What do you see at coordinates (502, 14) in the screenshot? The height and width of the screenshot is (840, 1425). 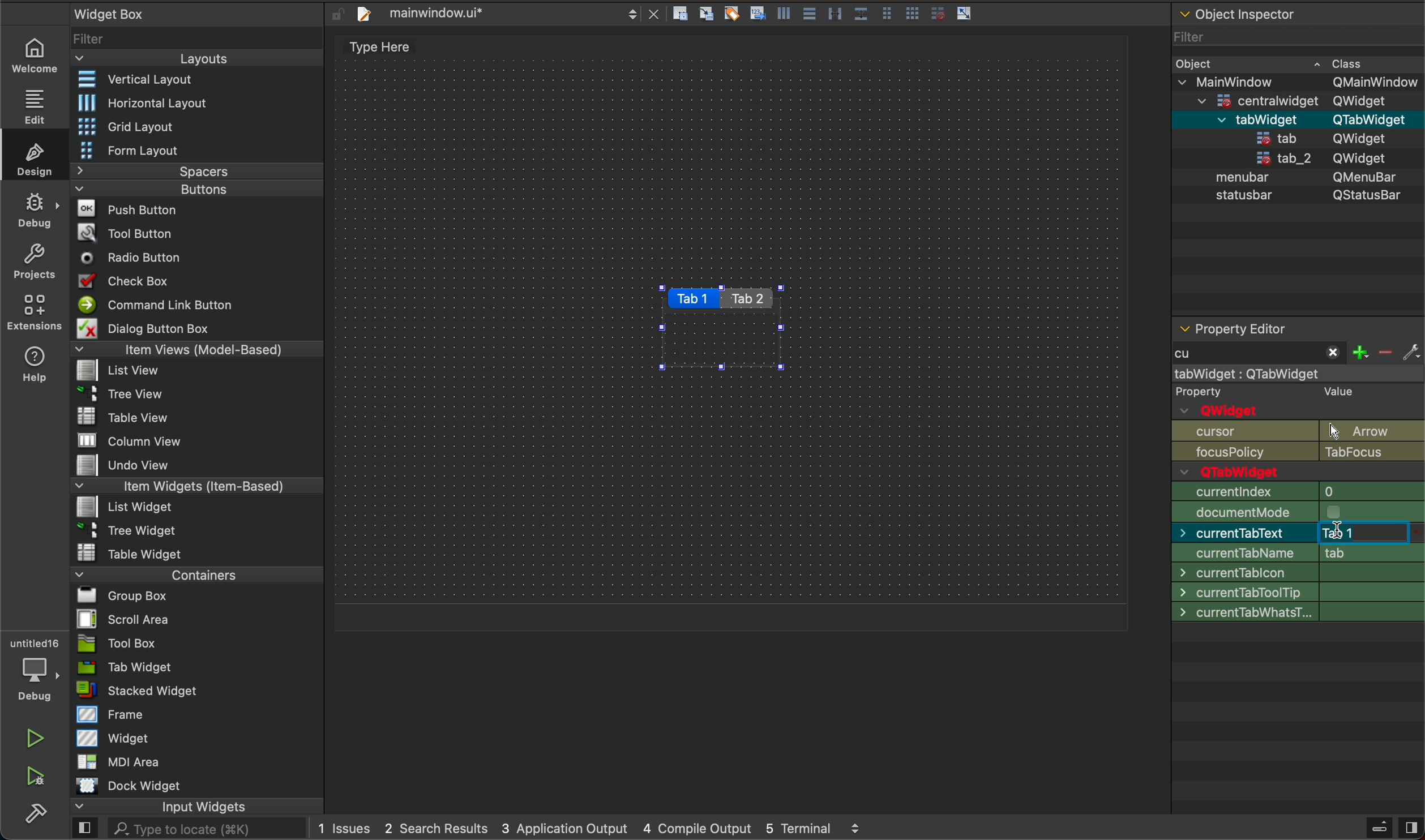 I see `file tab` at bounding box center [502, 14].